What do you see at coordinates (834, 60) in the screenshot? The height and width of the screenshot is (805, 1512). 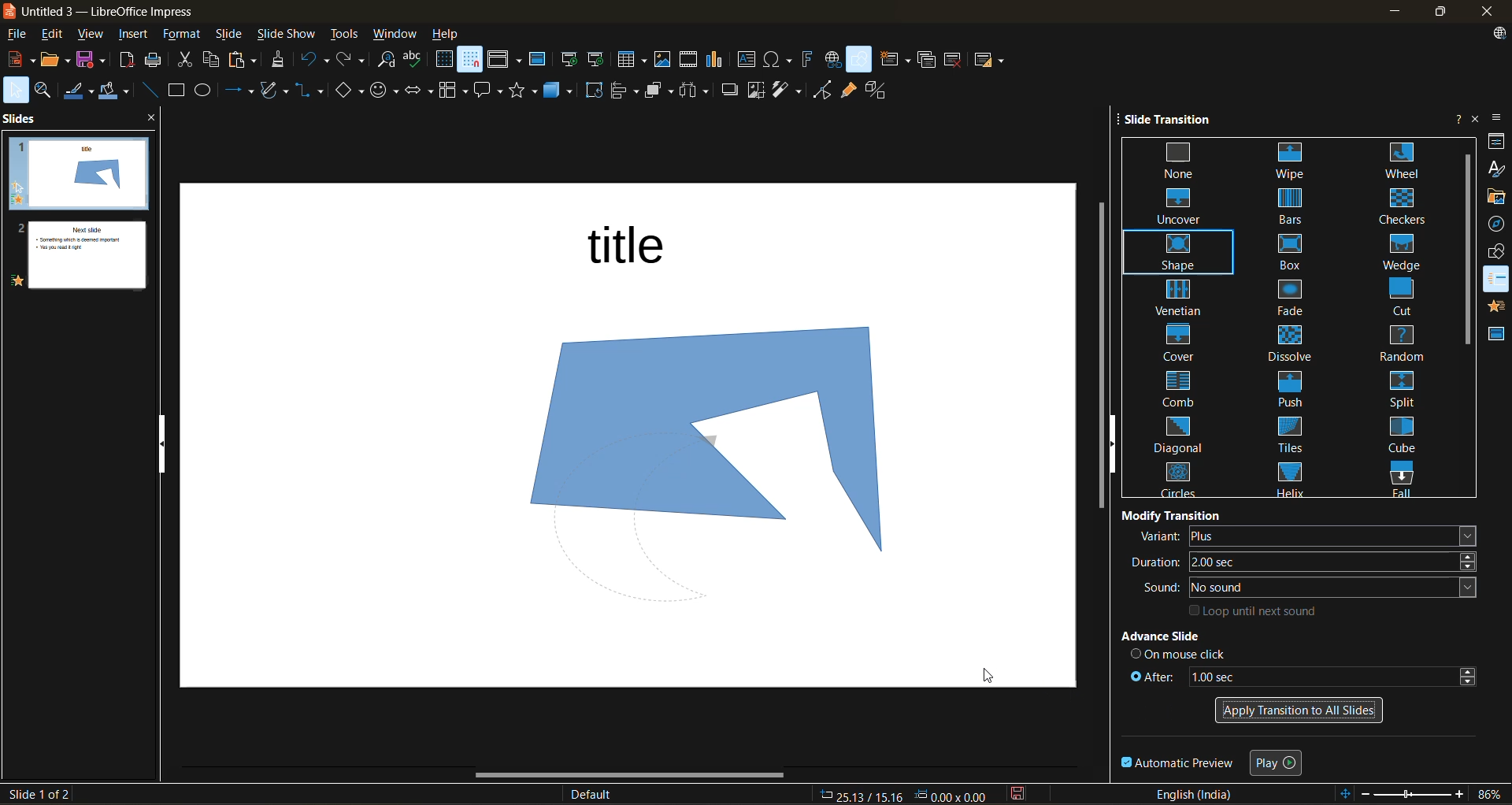 I see `insert hyperlink` at bounding box center [834, 60].